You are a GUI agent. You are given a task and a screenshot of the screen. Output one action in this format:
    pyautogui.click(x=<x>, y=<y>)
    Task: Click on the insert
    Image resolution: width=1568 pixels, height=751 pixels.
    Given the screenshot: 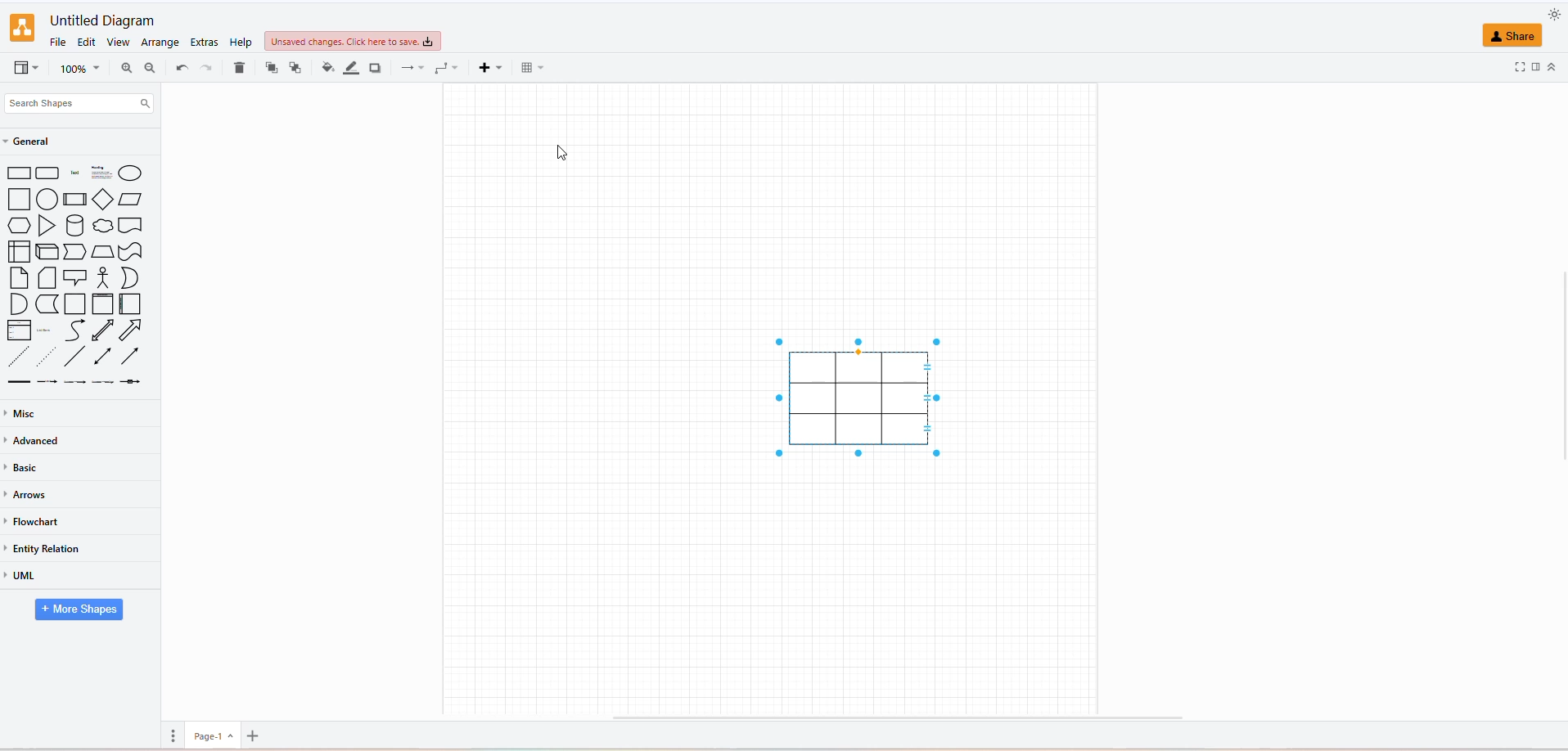 What is the action you would take?
    pyautogui.click(x=486, y=68)
    